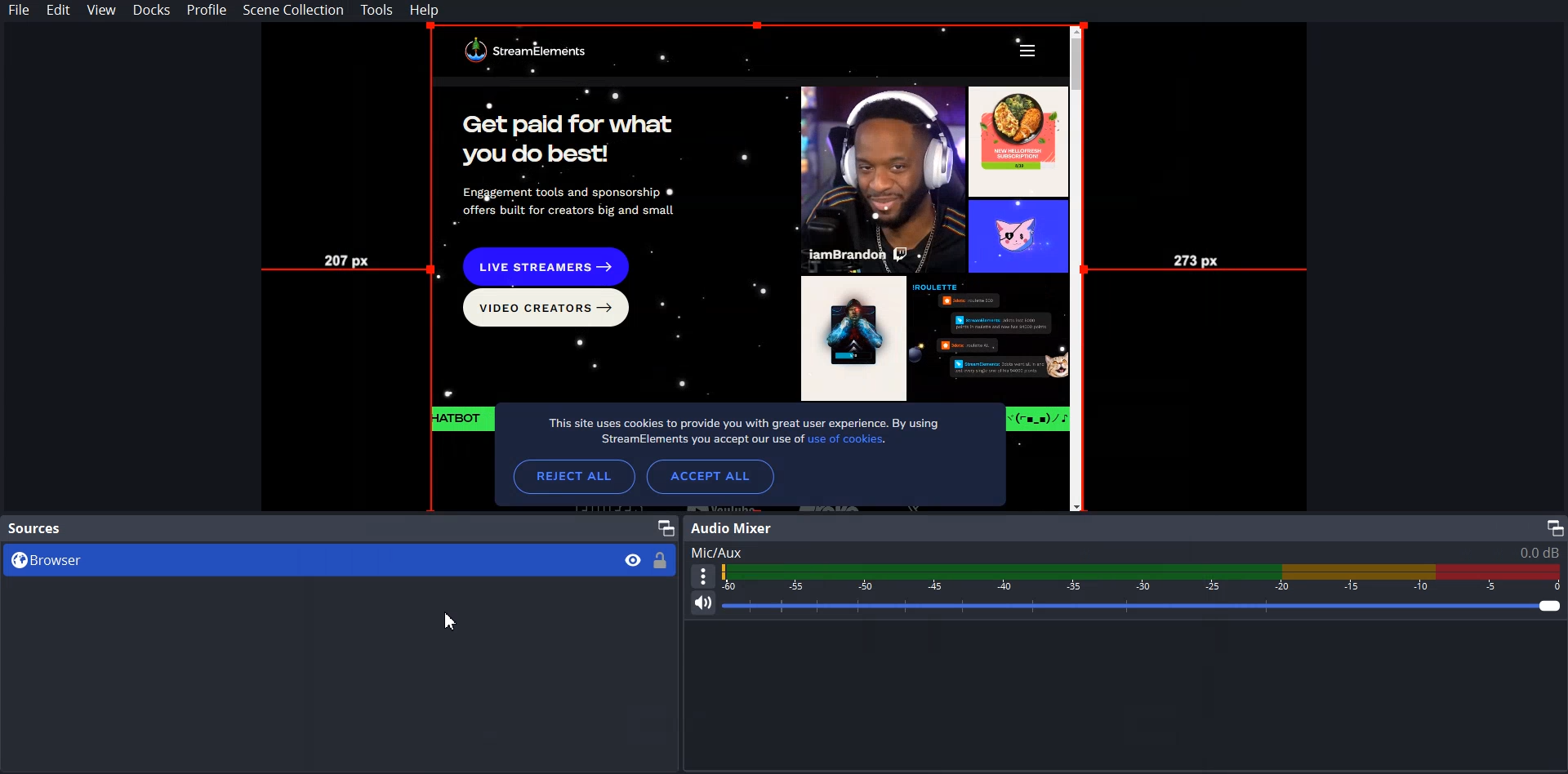 Image resolution: width=1568 pixels, height=774 pixels. Describe the element at coordinates (1554, 527) in the screenshot. I see `Maximize` at that location.